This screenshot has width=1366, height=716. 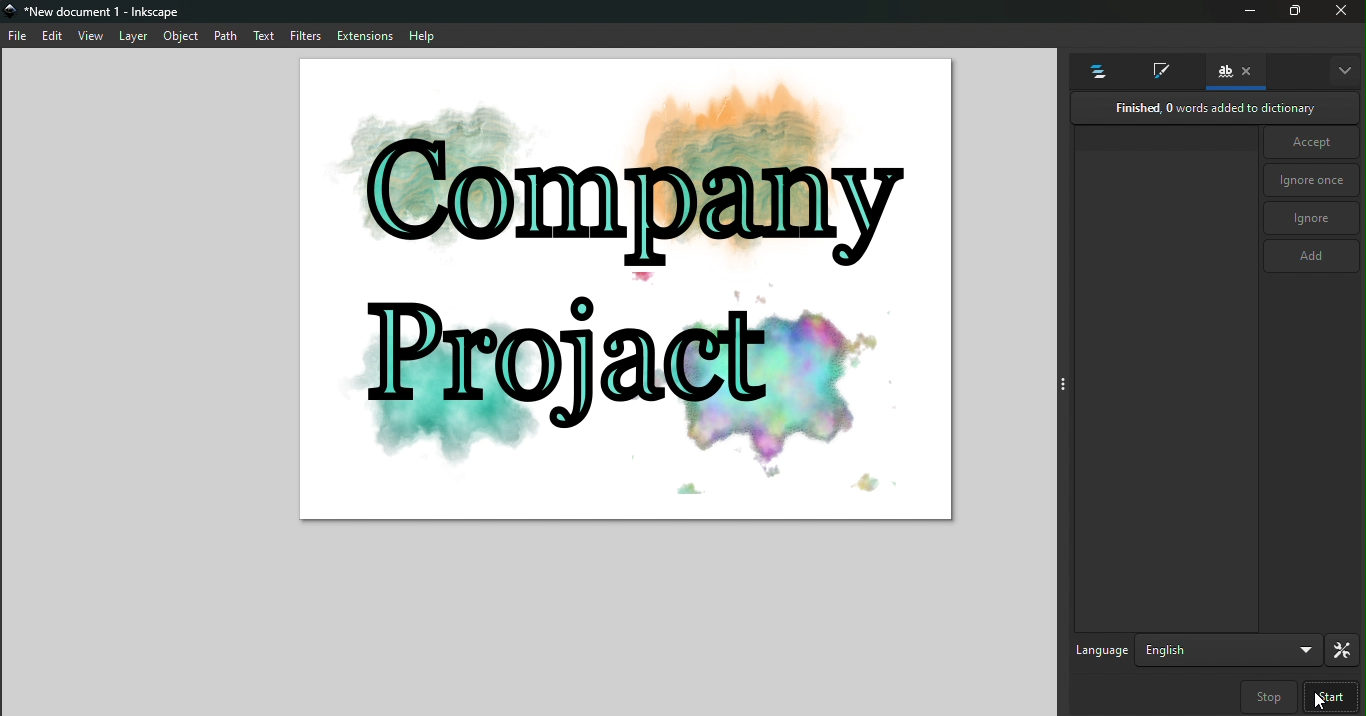 I want to click on filters, so click(x=306, y=36).